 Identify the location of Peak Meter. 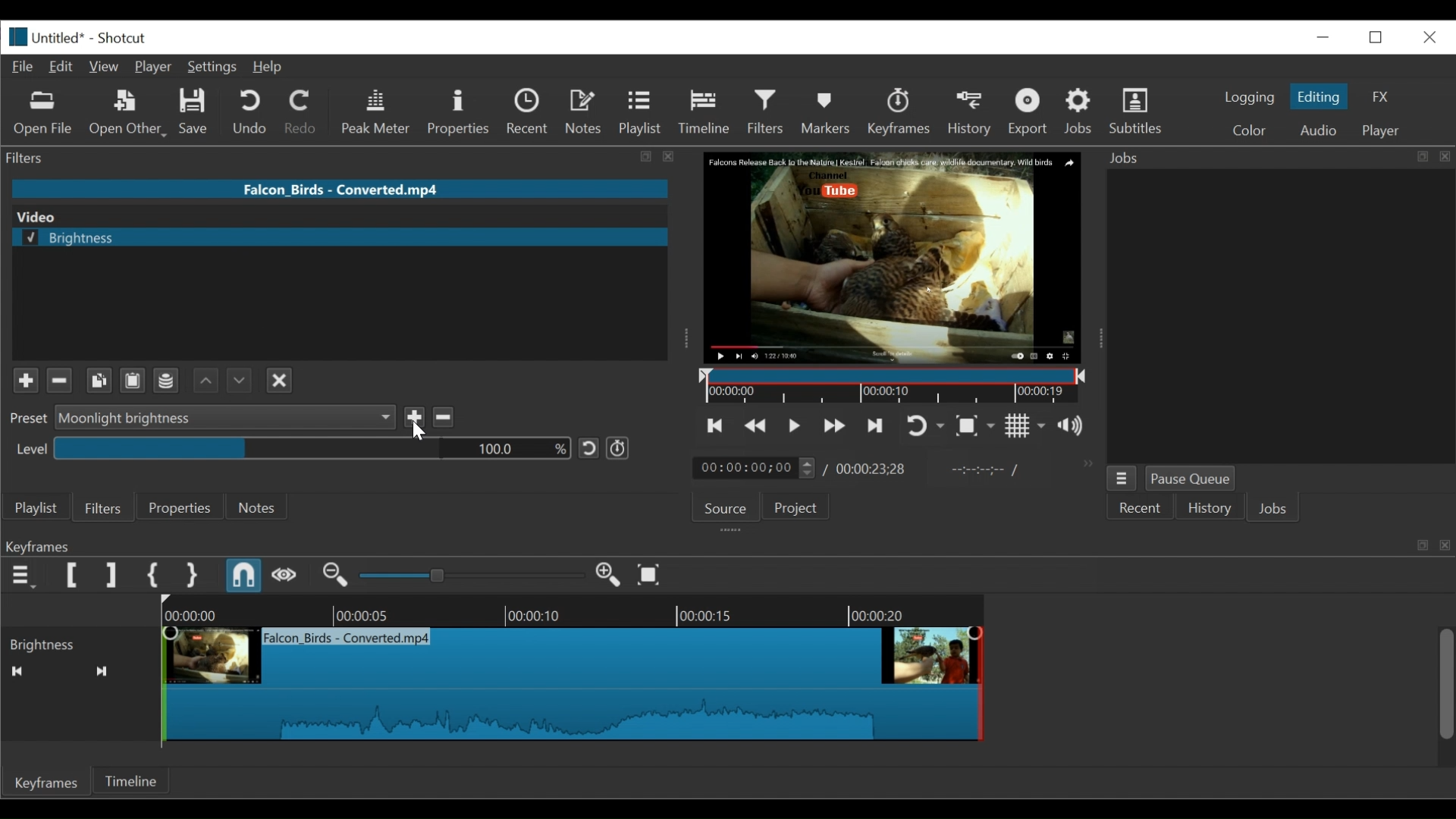
(376, 113).